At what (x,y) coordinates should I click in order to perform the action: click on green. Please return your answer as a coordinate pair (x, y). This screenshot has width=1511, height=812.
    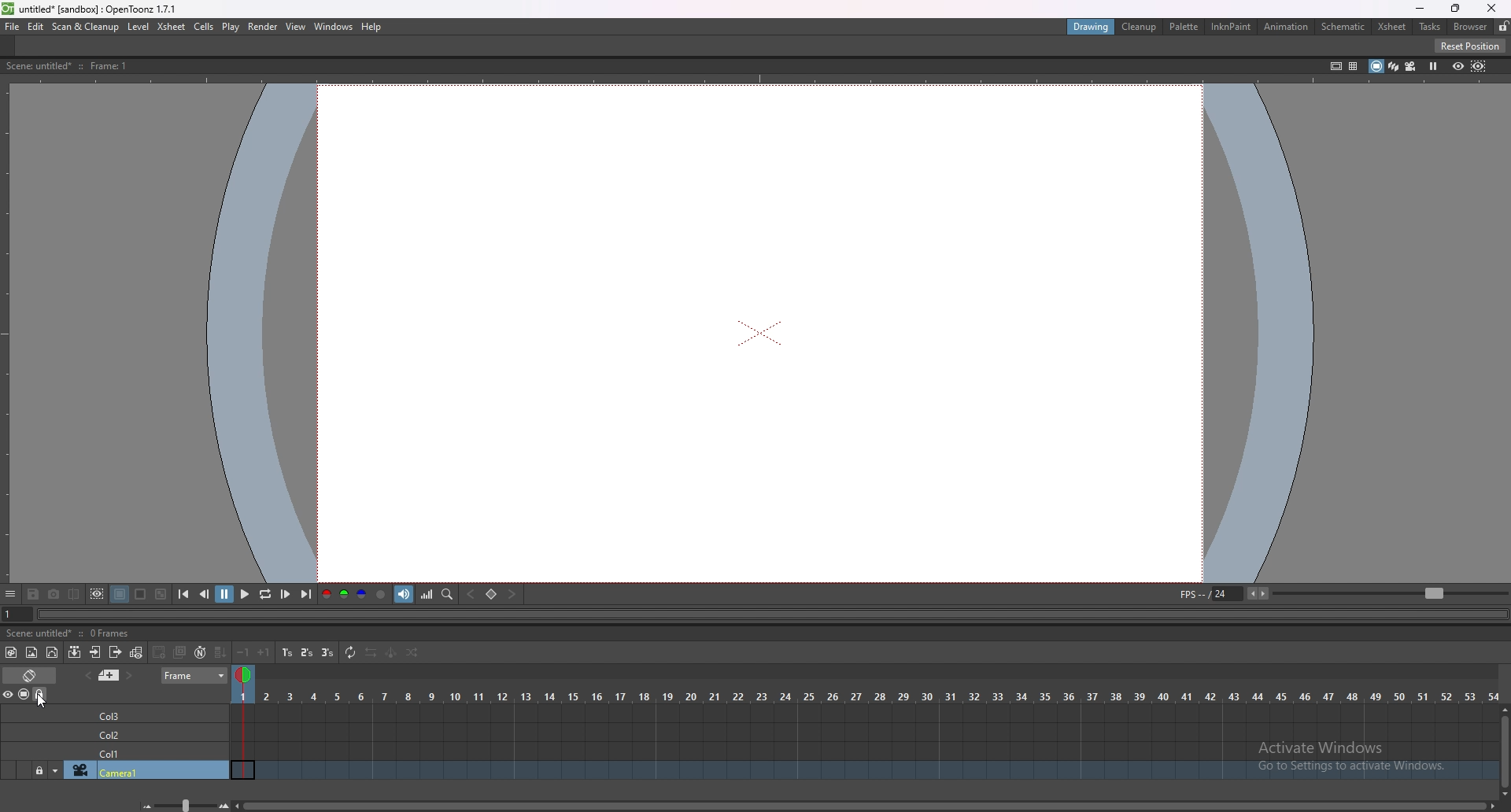
    Looking at the image, I should click on (343, 595).